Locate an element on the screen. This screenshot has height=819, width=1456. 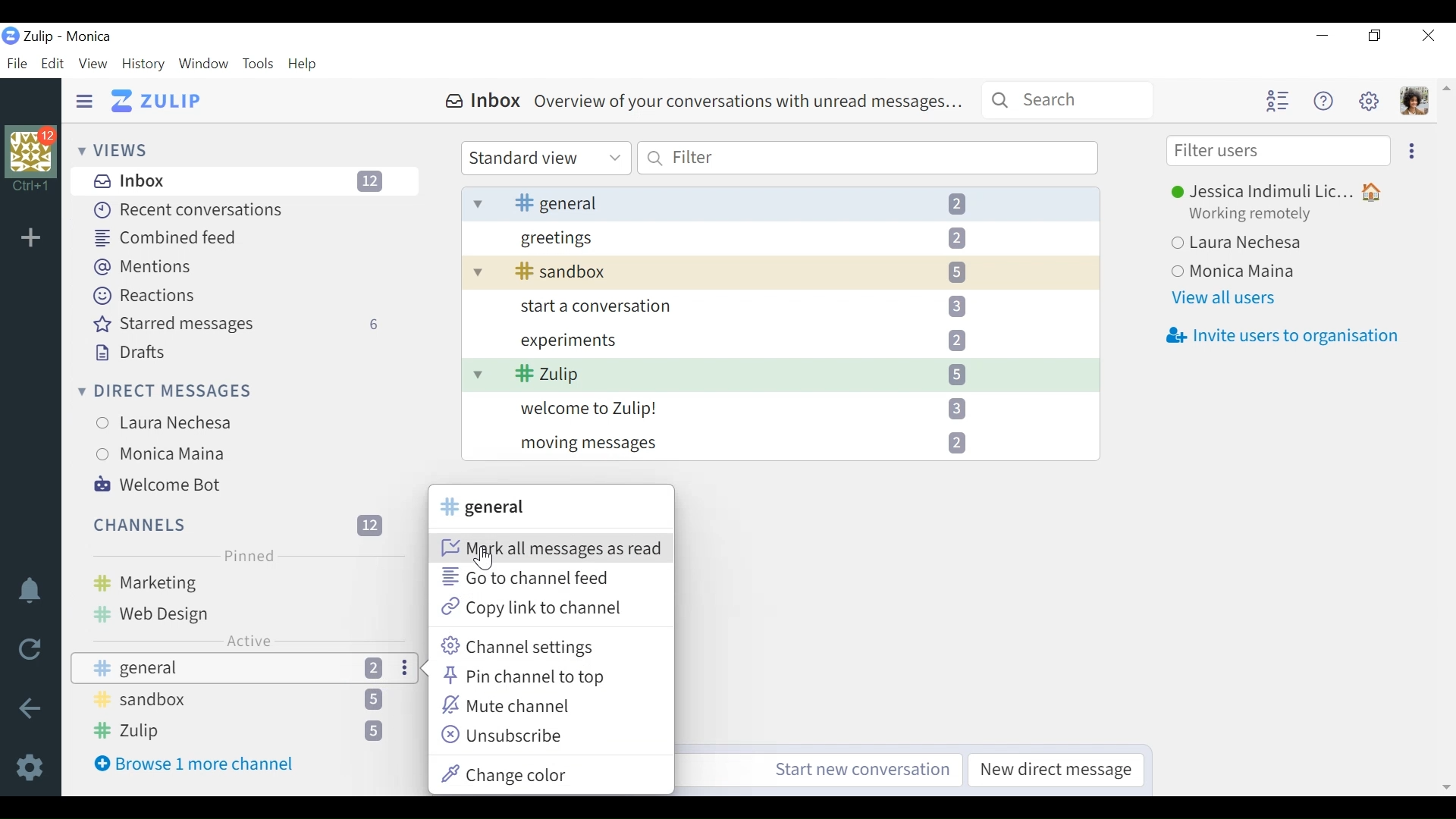
Inbox 12 is located at coordinates (247, 180).